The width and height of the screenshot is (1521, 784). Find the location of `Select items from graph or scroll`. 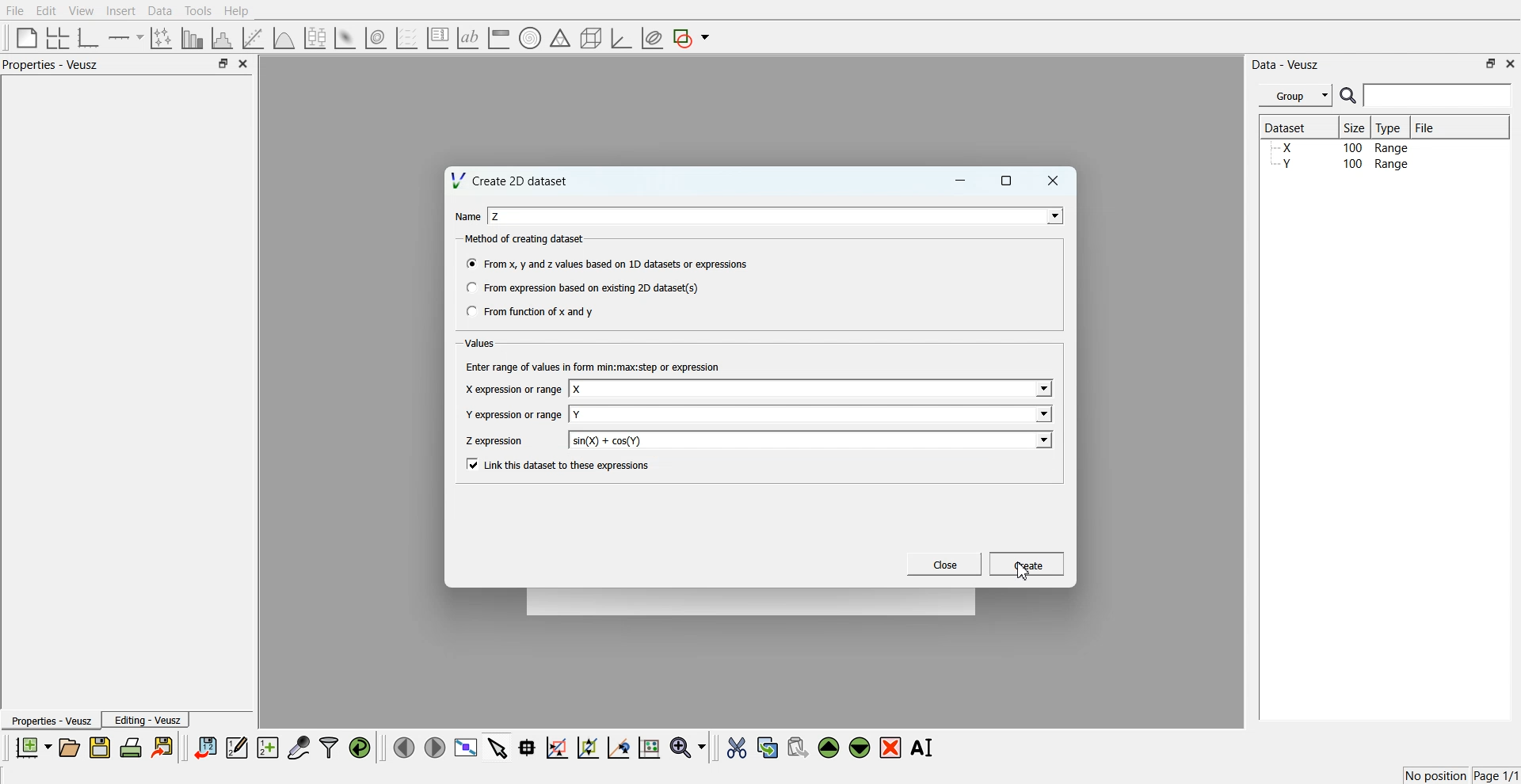

Select items from graph or scroll is located at coordinates (498, 746).